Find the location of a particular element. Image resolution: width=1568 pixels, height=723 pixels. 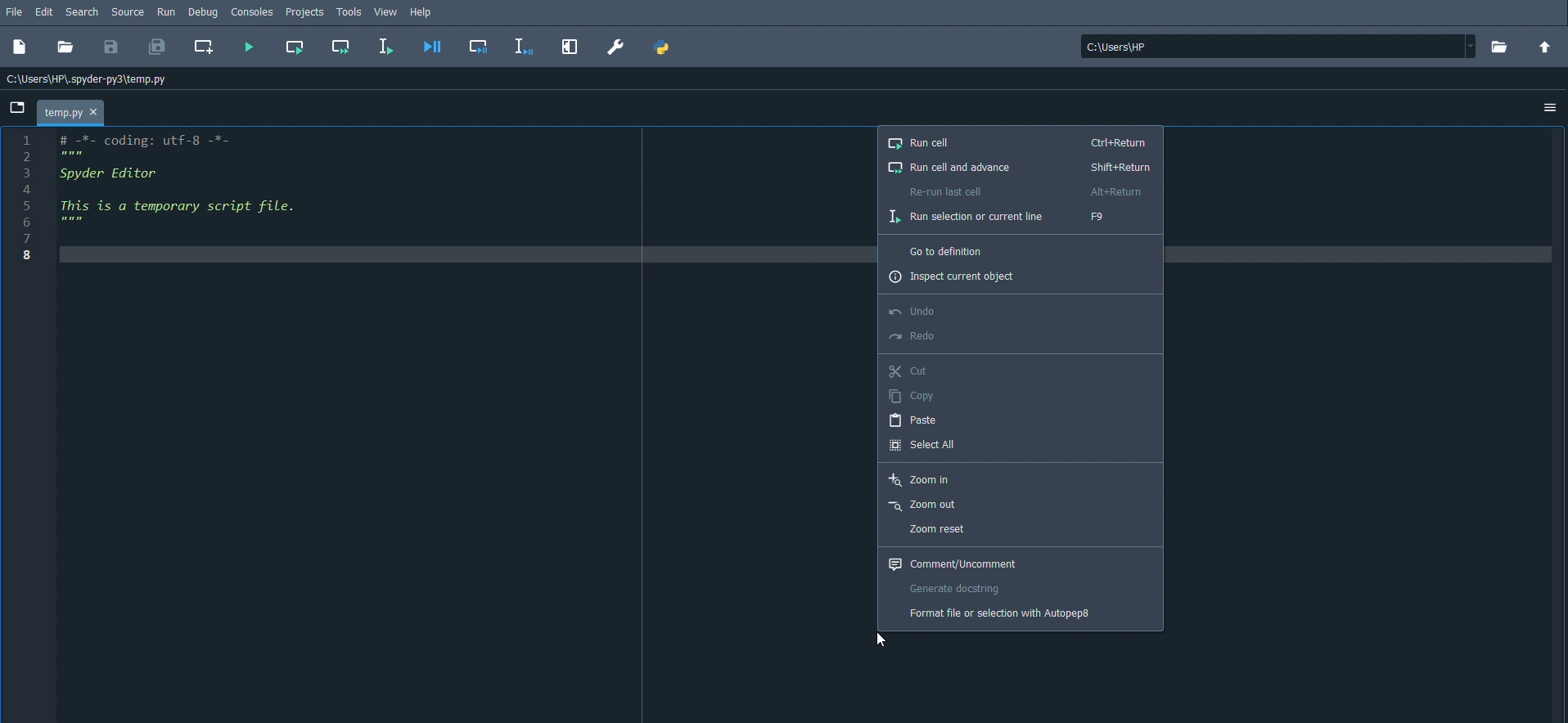

Run cell and advance is located at coordinates (1021, 168).